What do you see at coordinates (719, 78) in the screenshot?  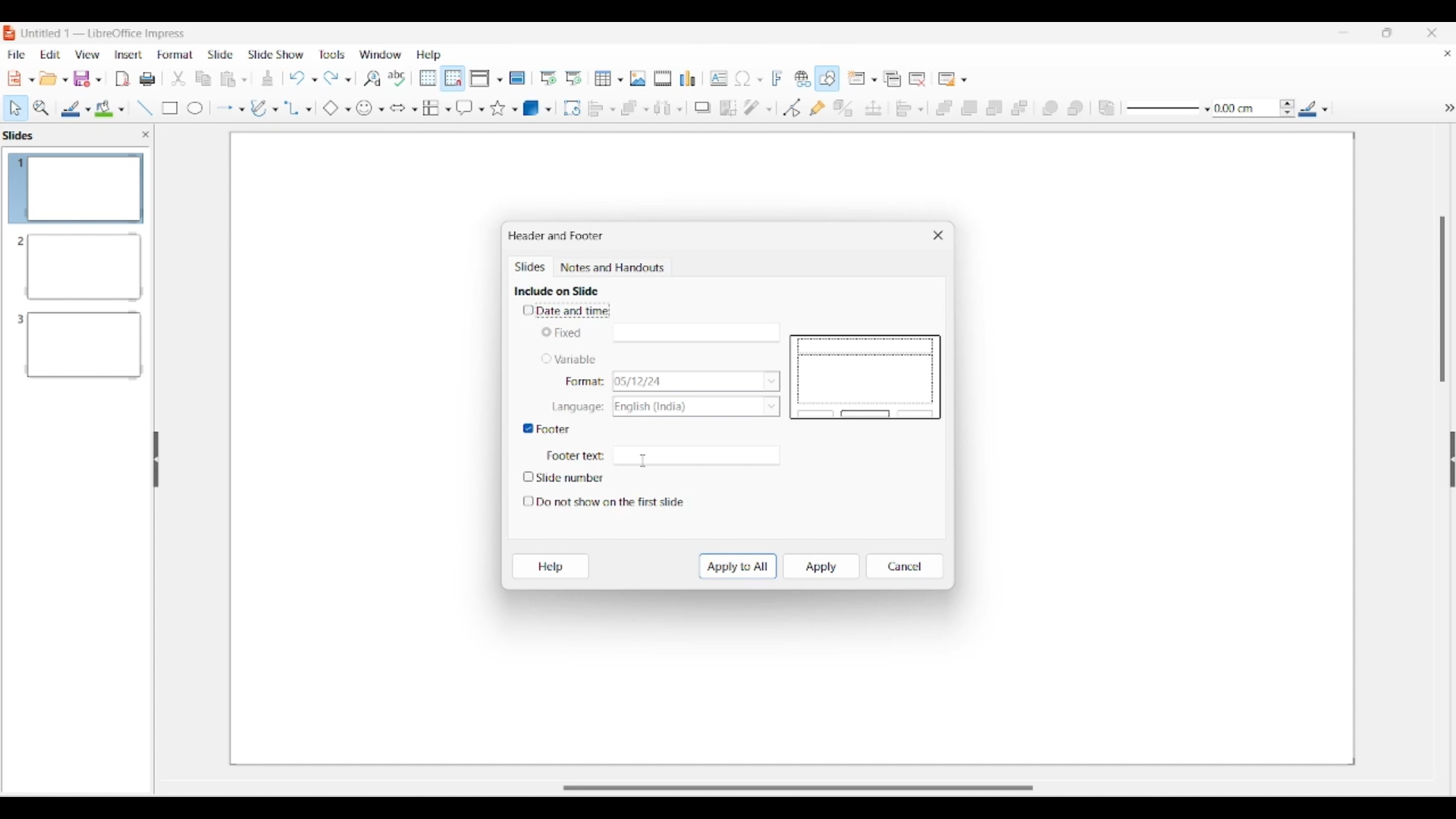 I see `Insert textbox` at bounding box center [719, 78].